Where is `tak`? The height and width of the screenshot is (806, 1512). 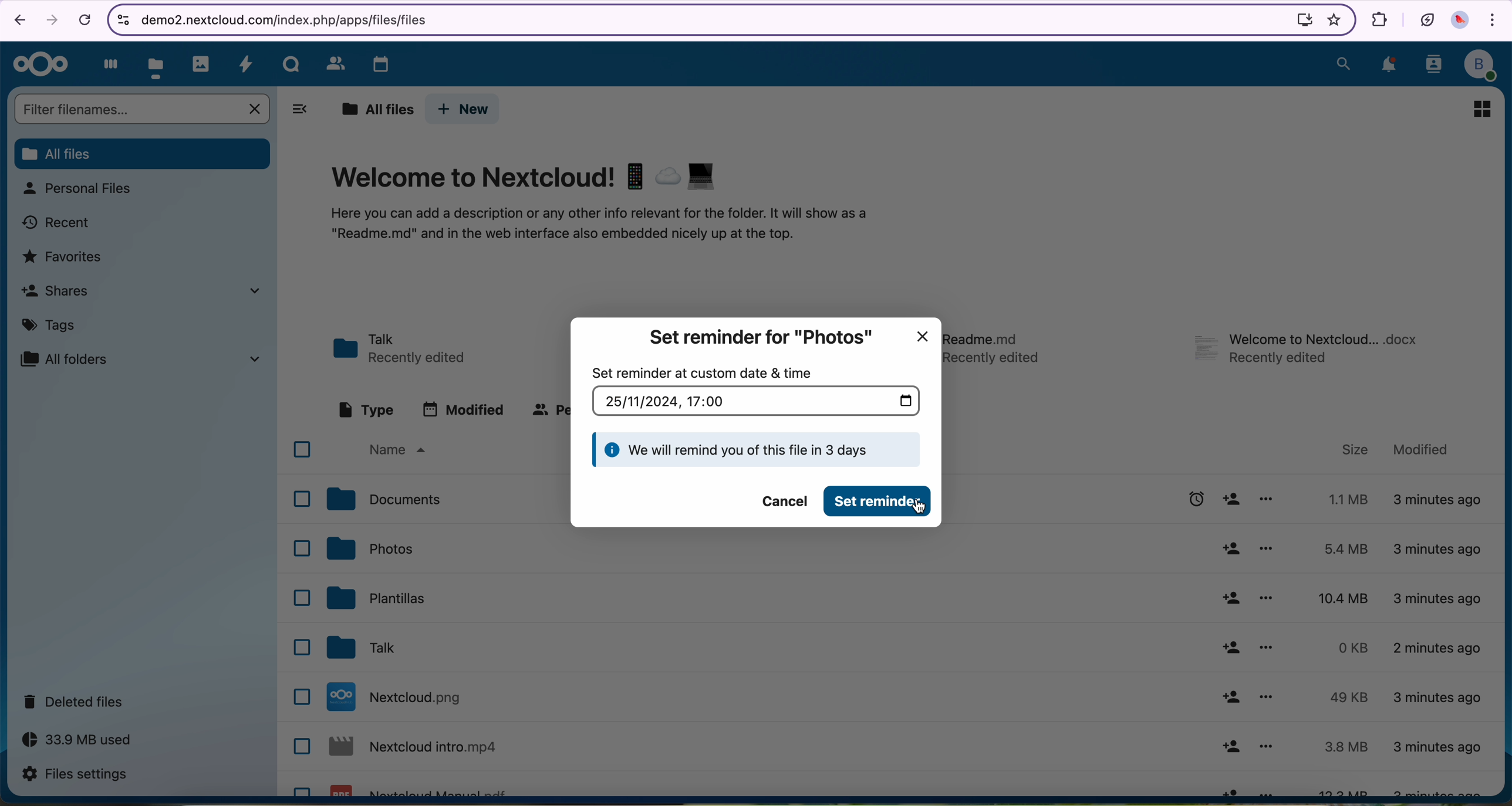
tak is located at coordinates (367, 648).